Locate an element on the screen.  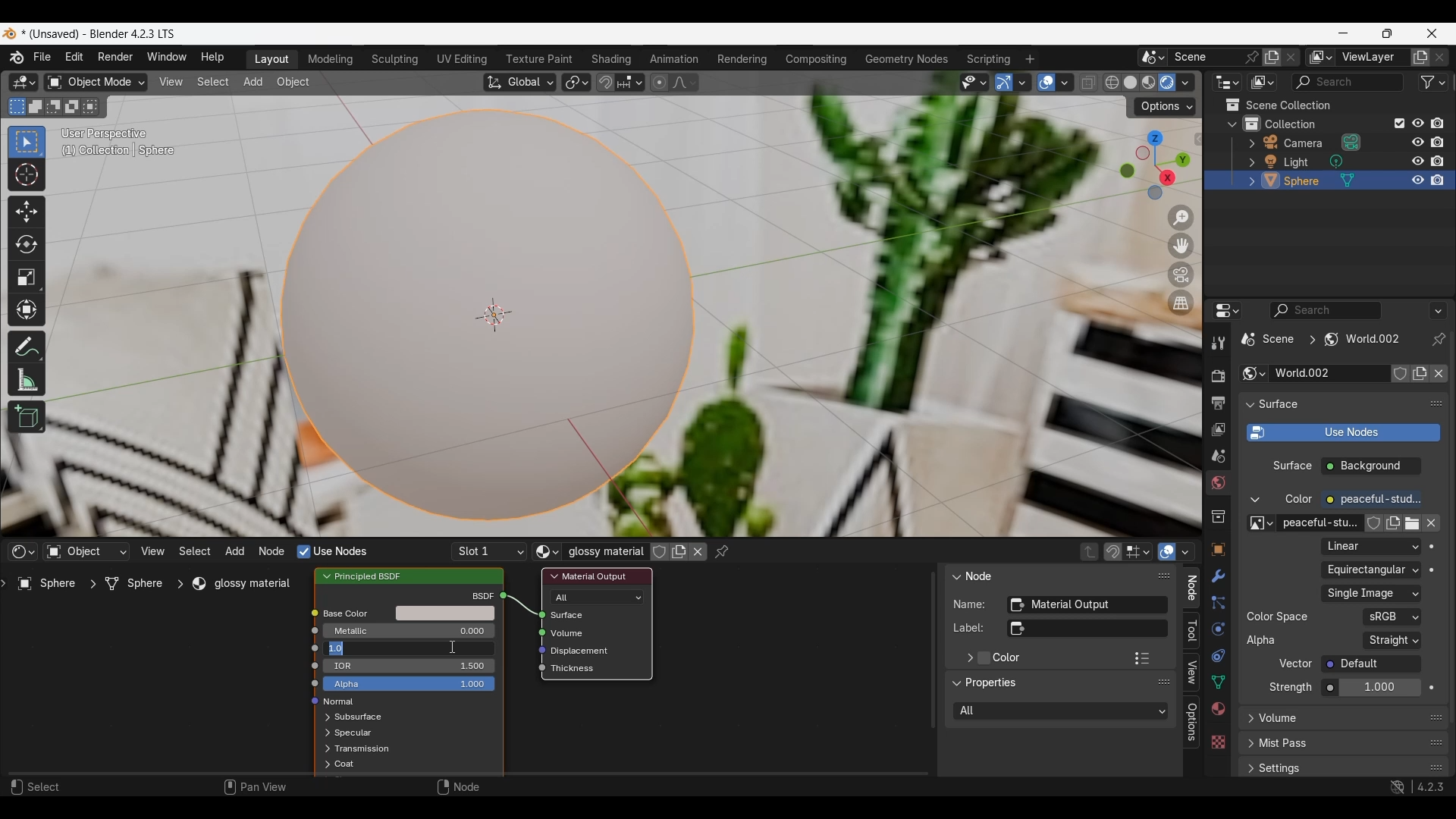
Move the view is located at coordinates (1181, 246).